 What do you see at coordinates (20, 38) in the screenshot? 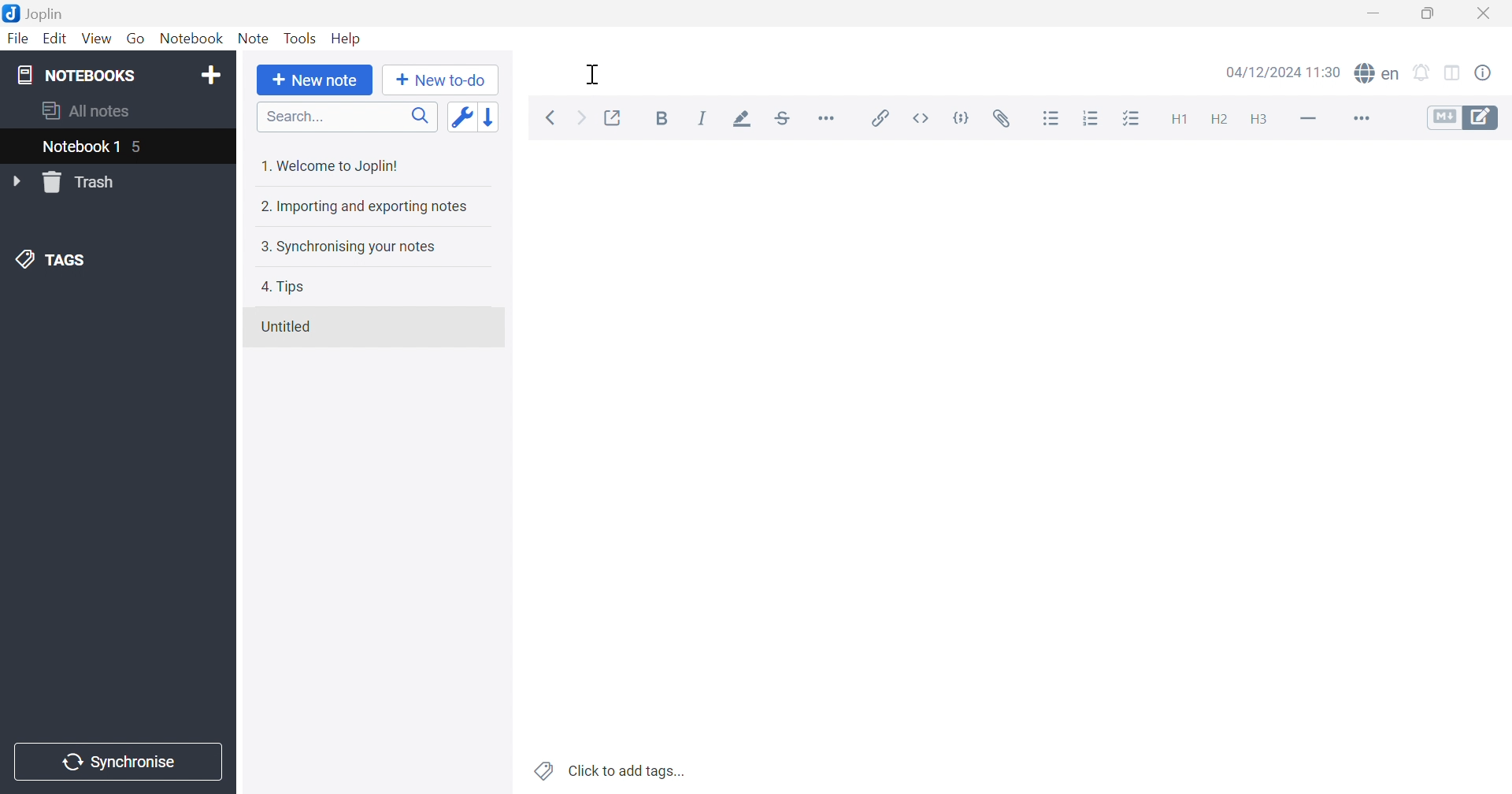
I see `File` at bounding box center [20, 38].